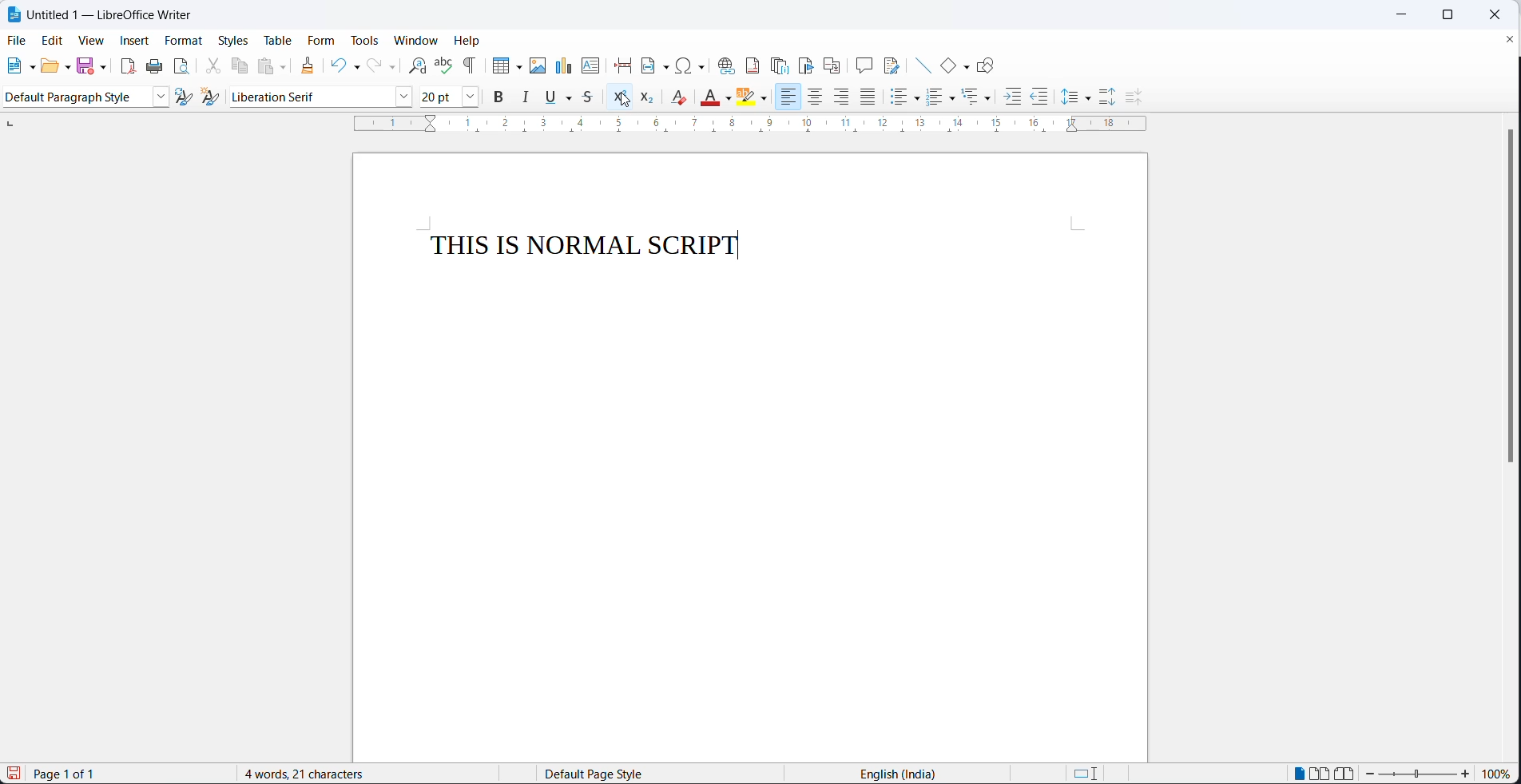 The image size is (1521, 784). Describe the element at coordinates (551, 97) in the screenshot. I see `underline` at that location.